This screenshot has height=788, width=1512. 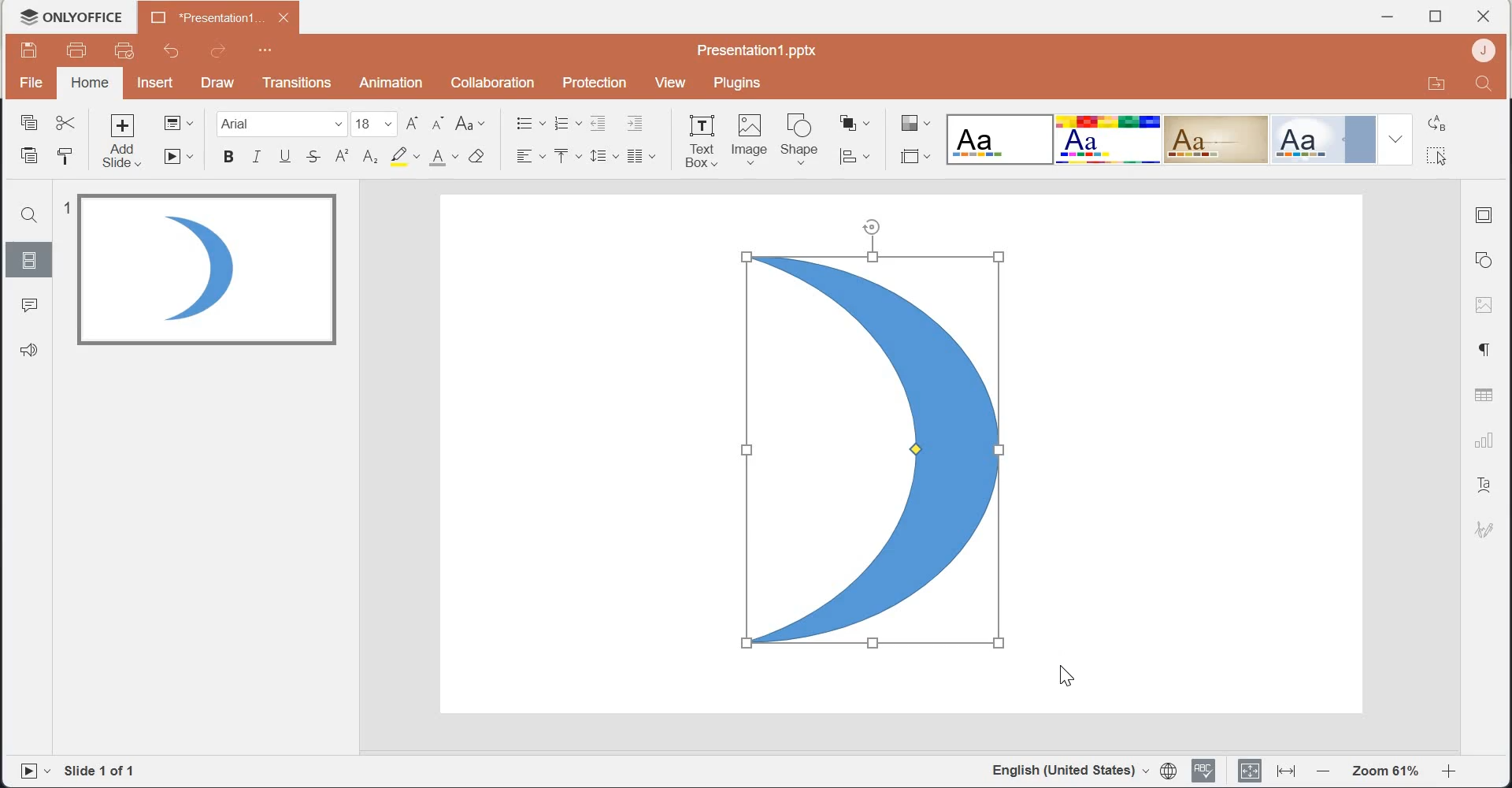 What do you see at coordinates (67, 123) in the screenshot?
I see `Cut` at bounding box center [67, 123].